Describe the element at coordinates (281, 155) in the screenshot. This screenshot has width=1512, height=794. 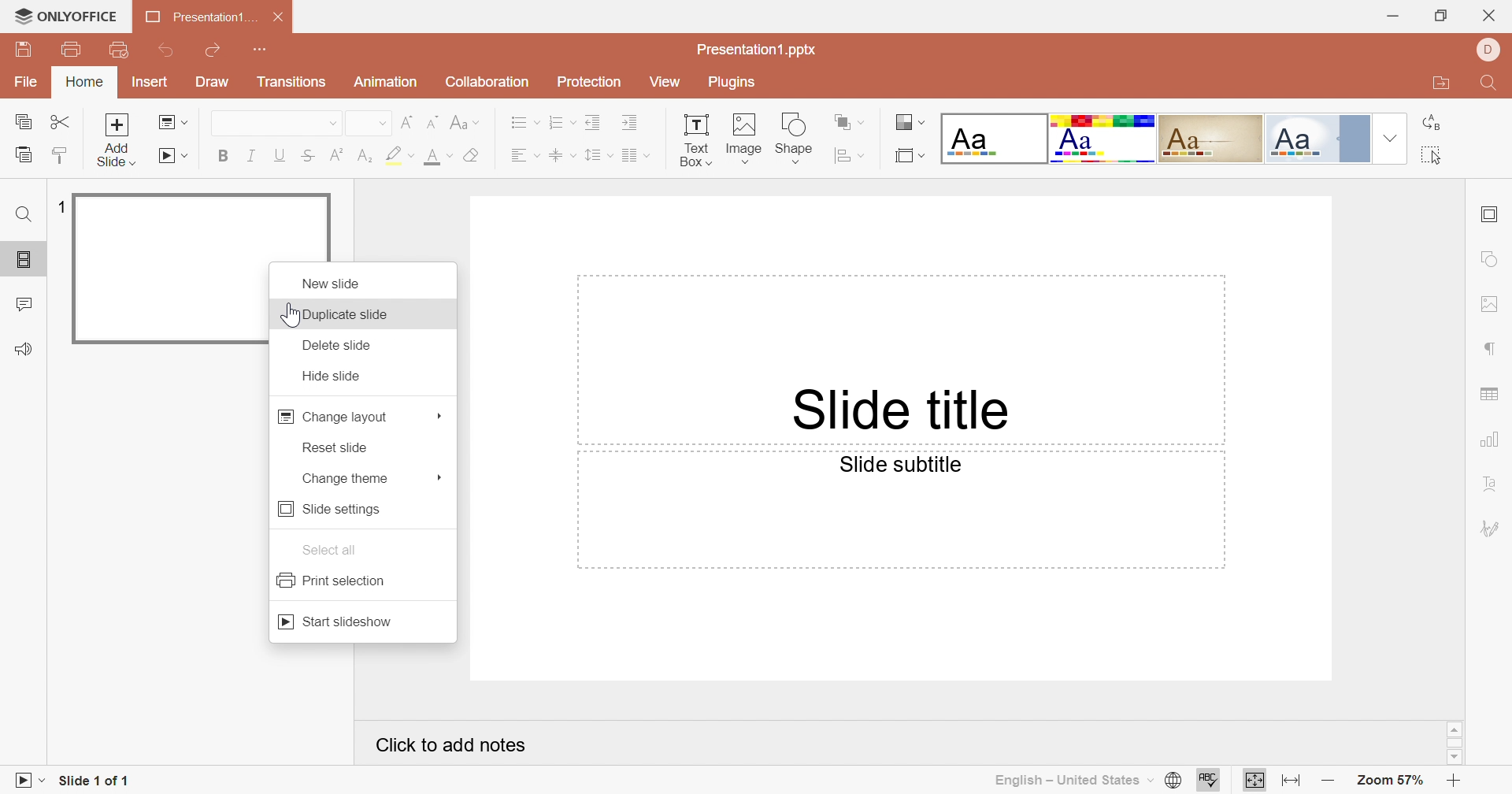
I see `Underline` at that location.